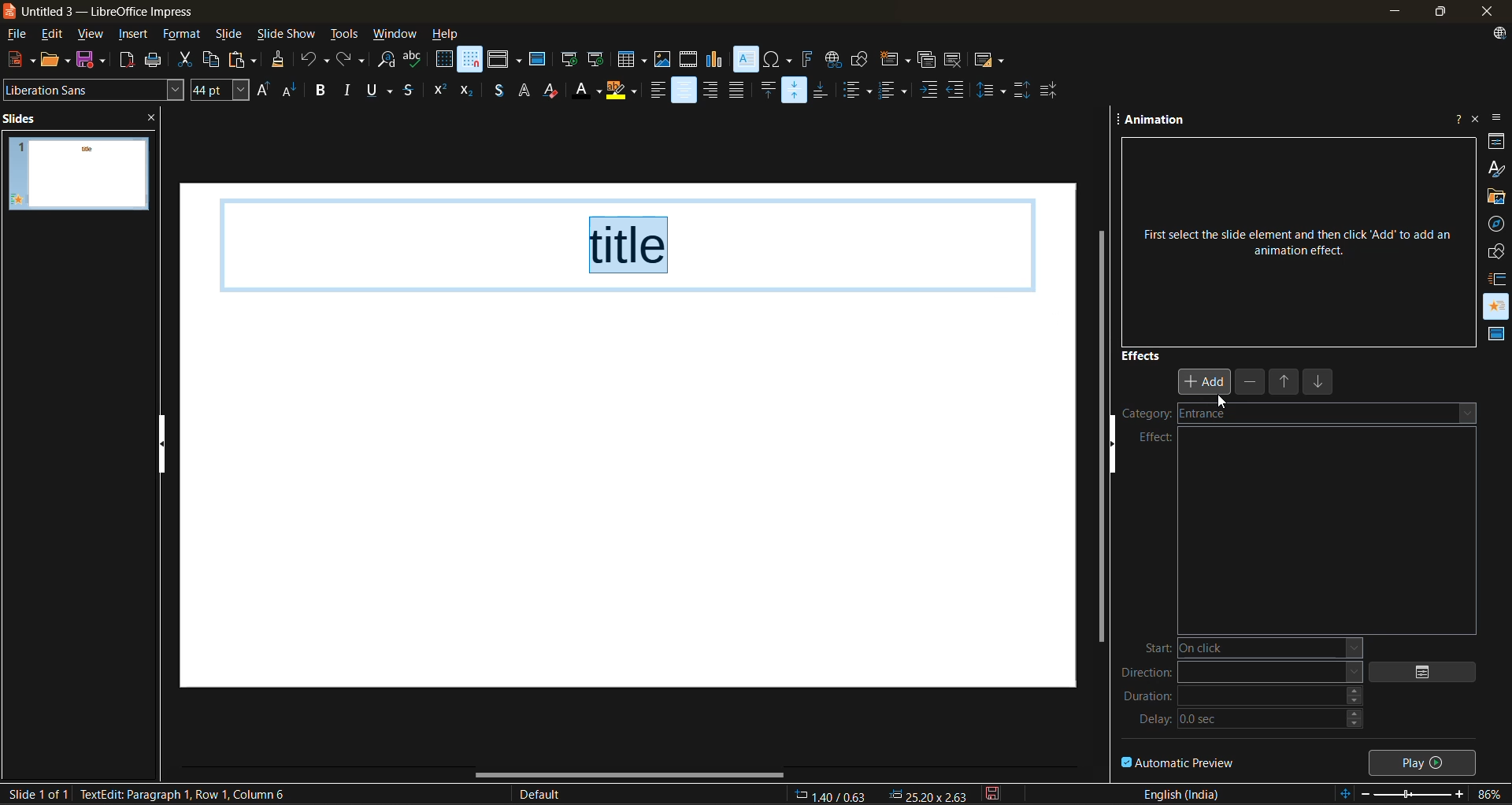 The height and width of the screenshot is (805, 1512). I want to click on show draw functions, so click(861, 57).